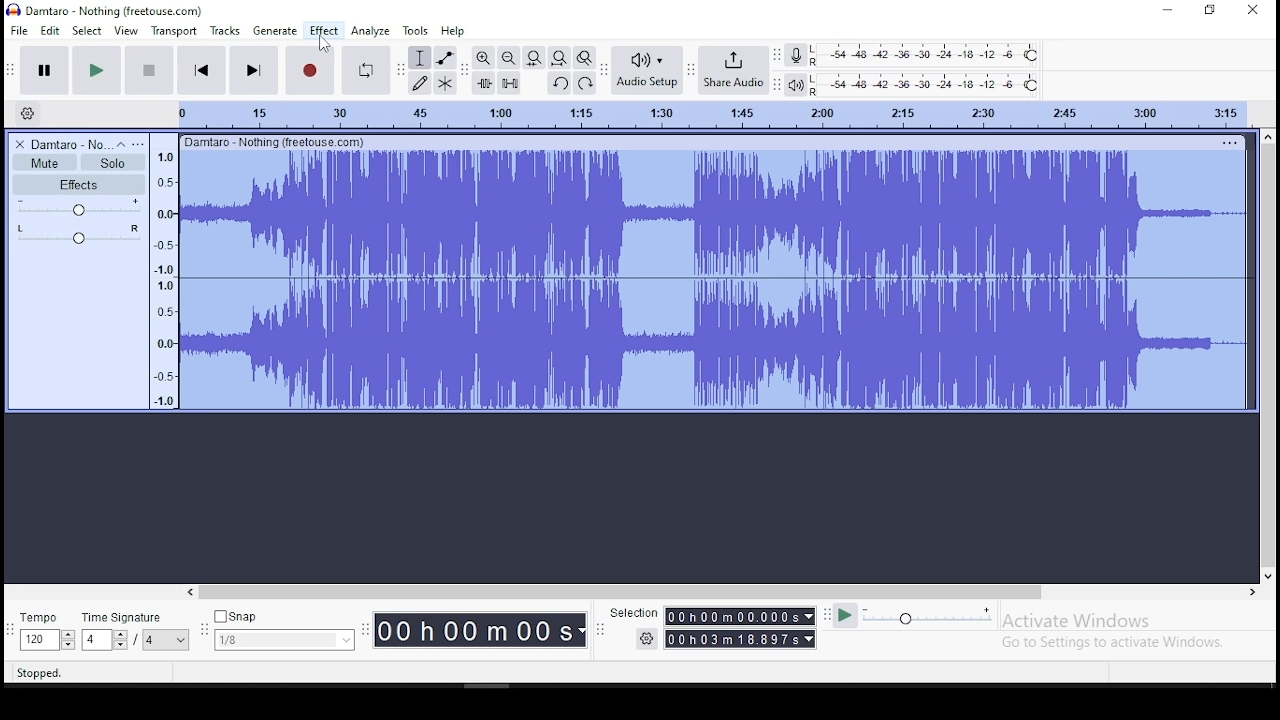  I want to click on snap, so click(283, 628).